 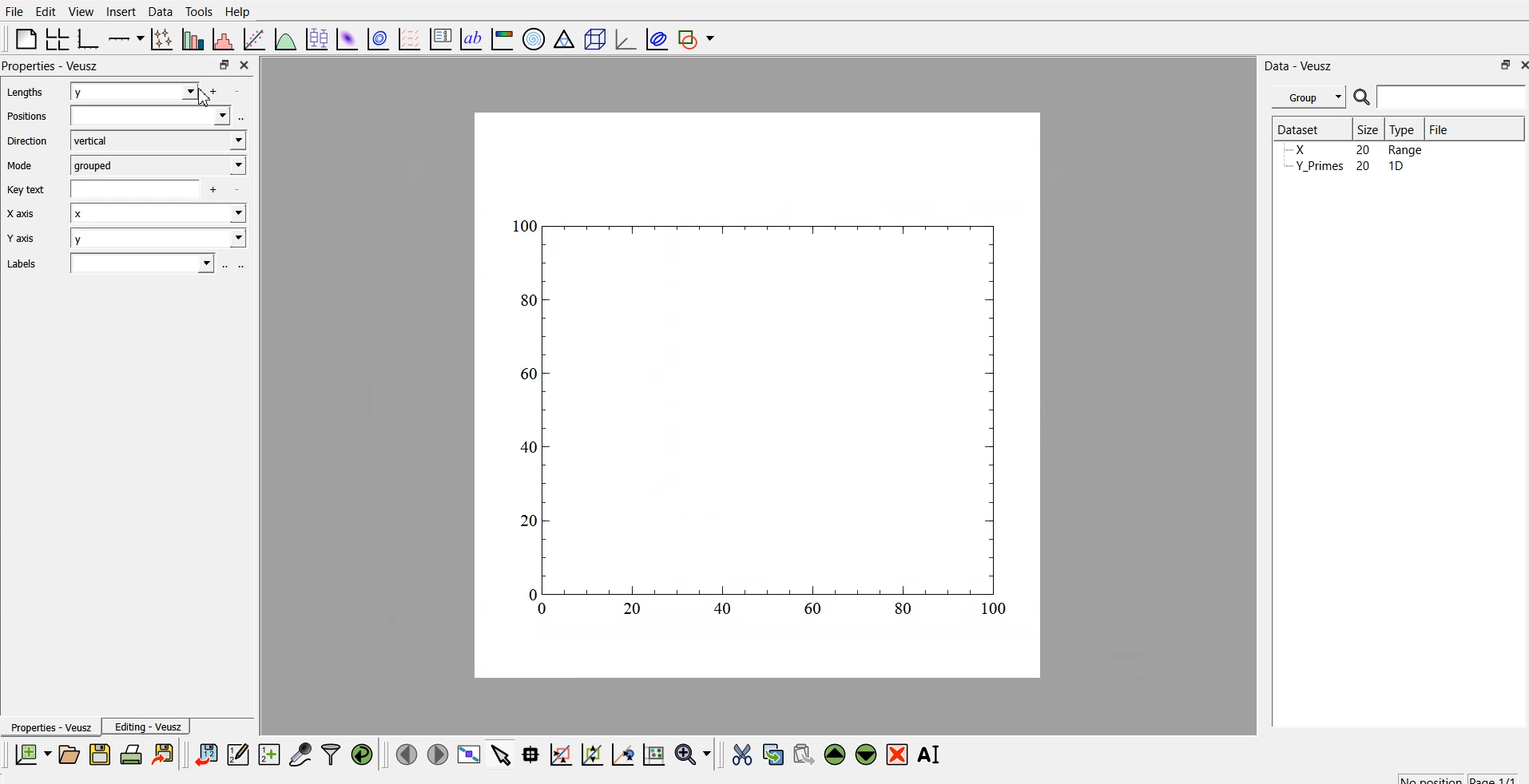 What do you see at coordinates (833, 754) in the screenshot?
I see `move up the widget` at bounding box center [833, 754].